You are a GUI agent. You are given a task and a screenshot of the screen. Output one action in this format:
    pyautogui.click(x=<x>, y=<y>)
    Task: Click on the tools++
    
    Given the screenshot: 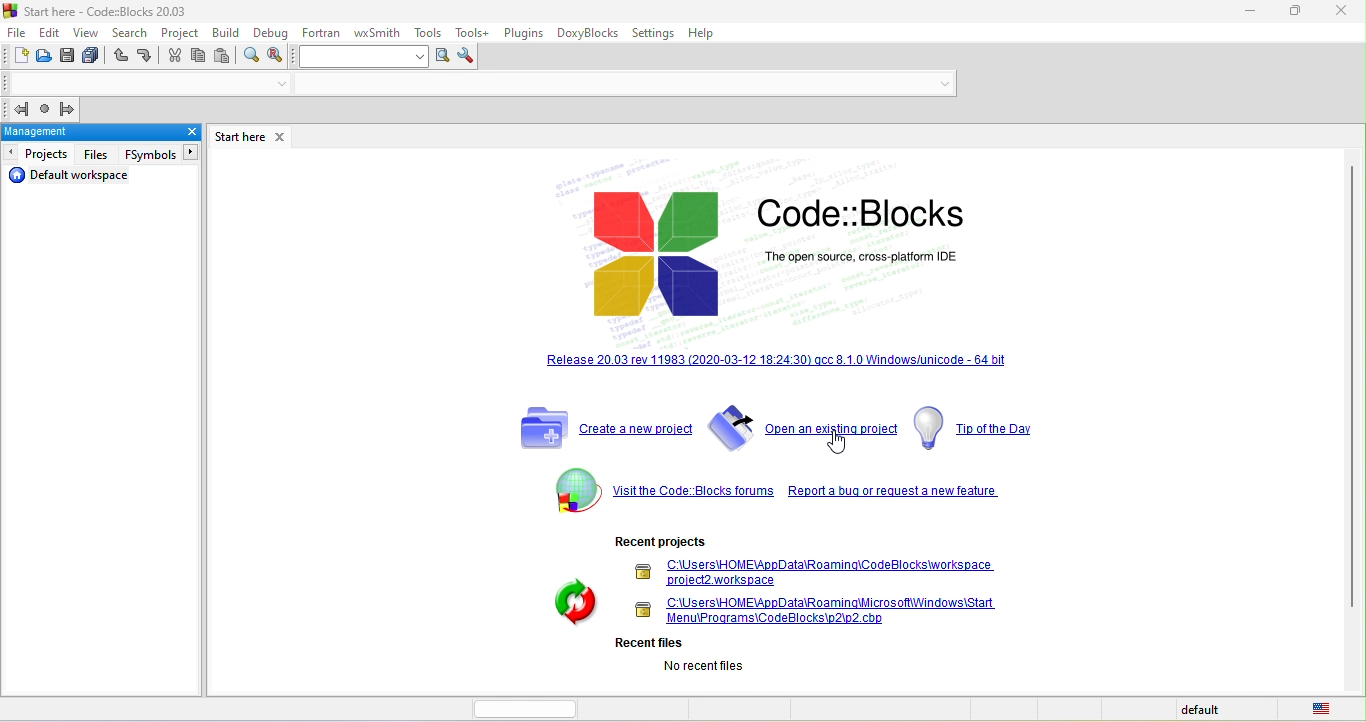 What is the action you would take?
    pyautogui.click(x=475, y=34)
    